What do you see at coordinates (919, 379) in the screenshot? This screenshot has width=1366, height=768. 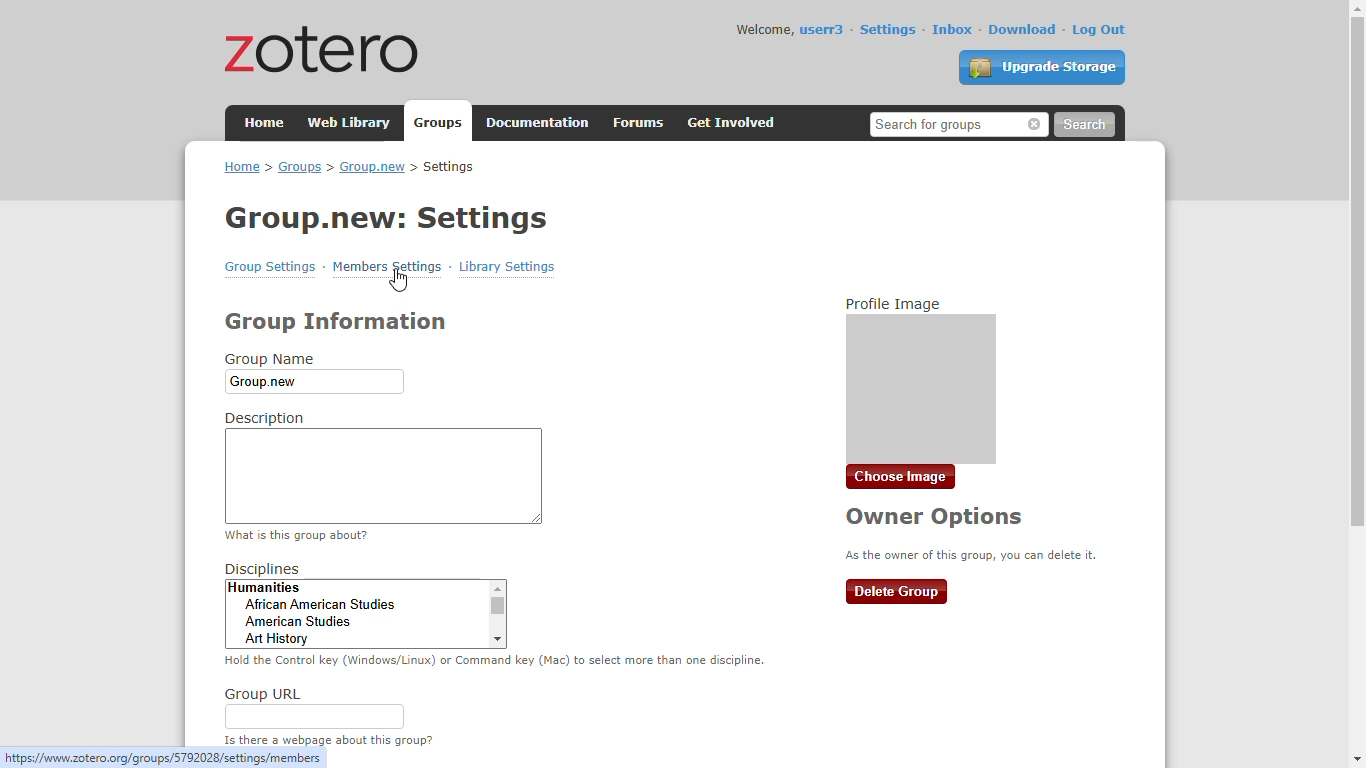 I see `profile image` at bounding box center [919, 379].